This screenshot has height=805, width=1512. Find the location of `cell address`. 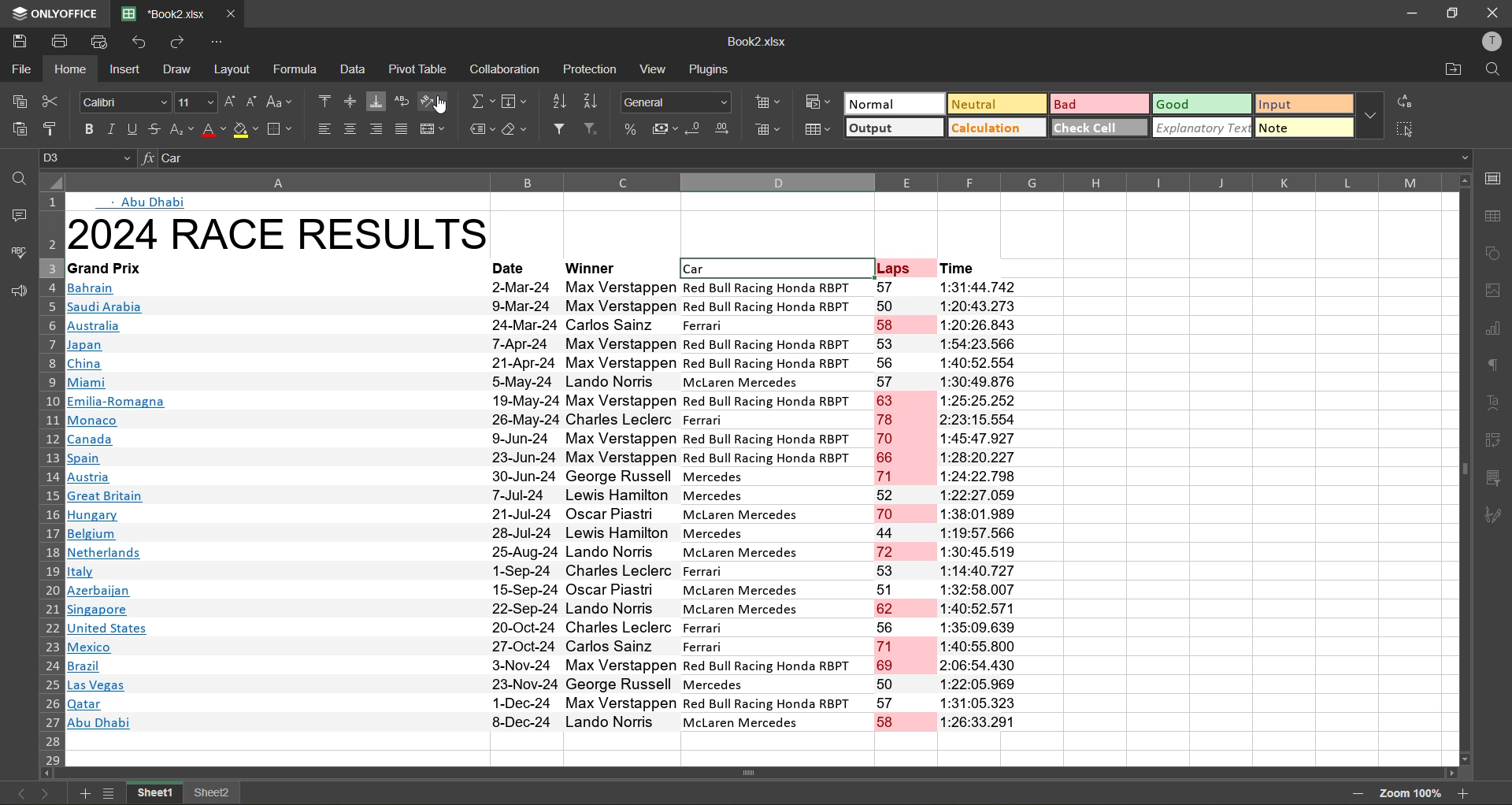

cell address is located at coordinates (85, 158).